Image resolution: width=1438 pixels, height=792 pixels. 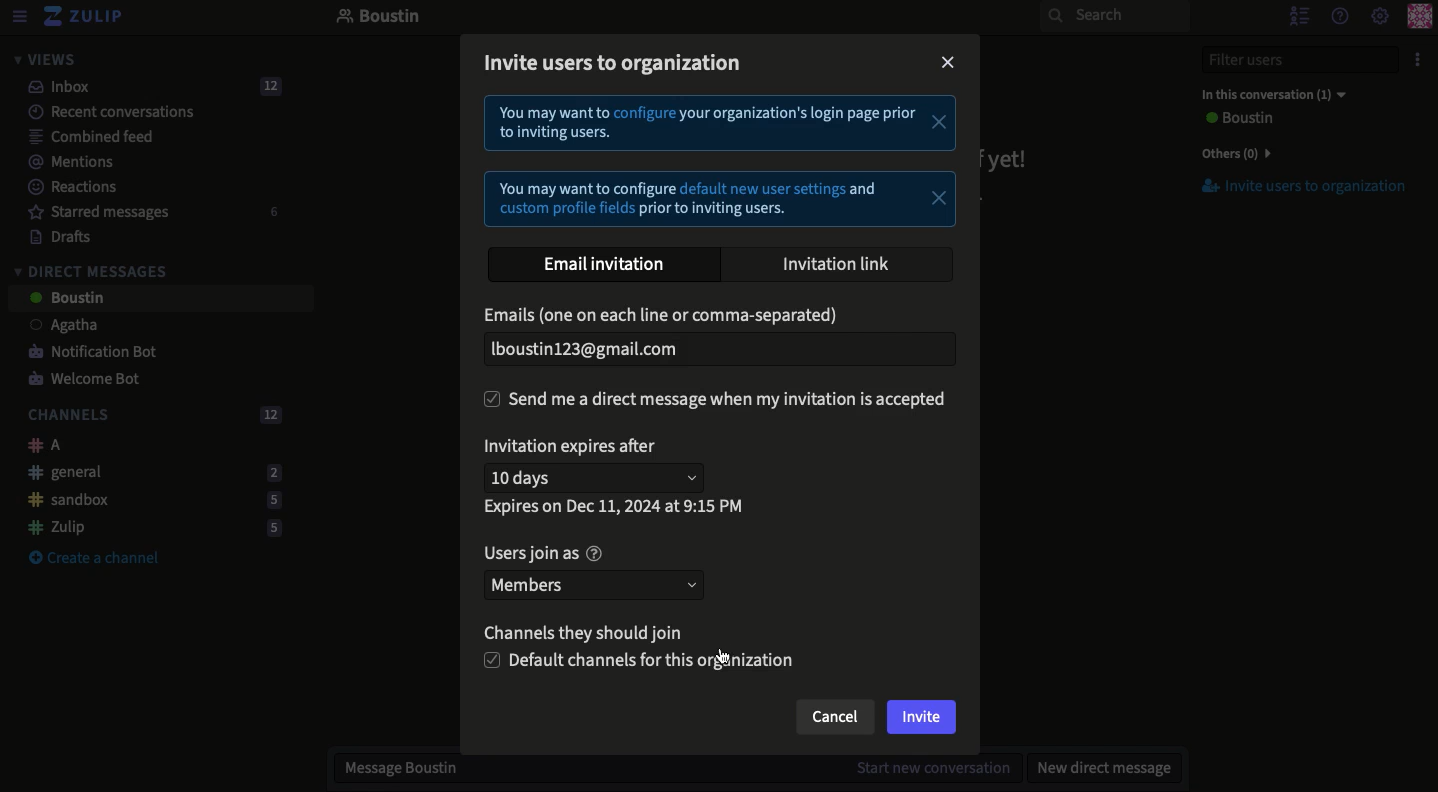 I want to click on Starred messages, so click(x=150, y=212).